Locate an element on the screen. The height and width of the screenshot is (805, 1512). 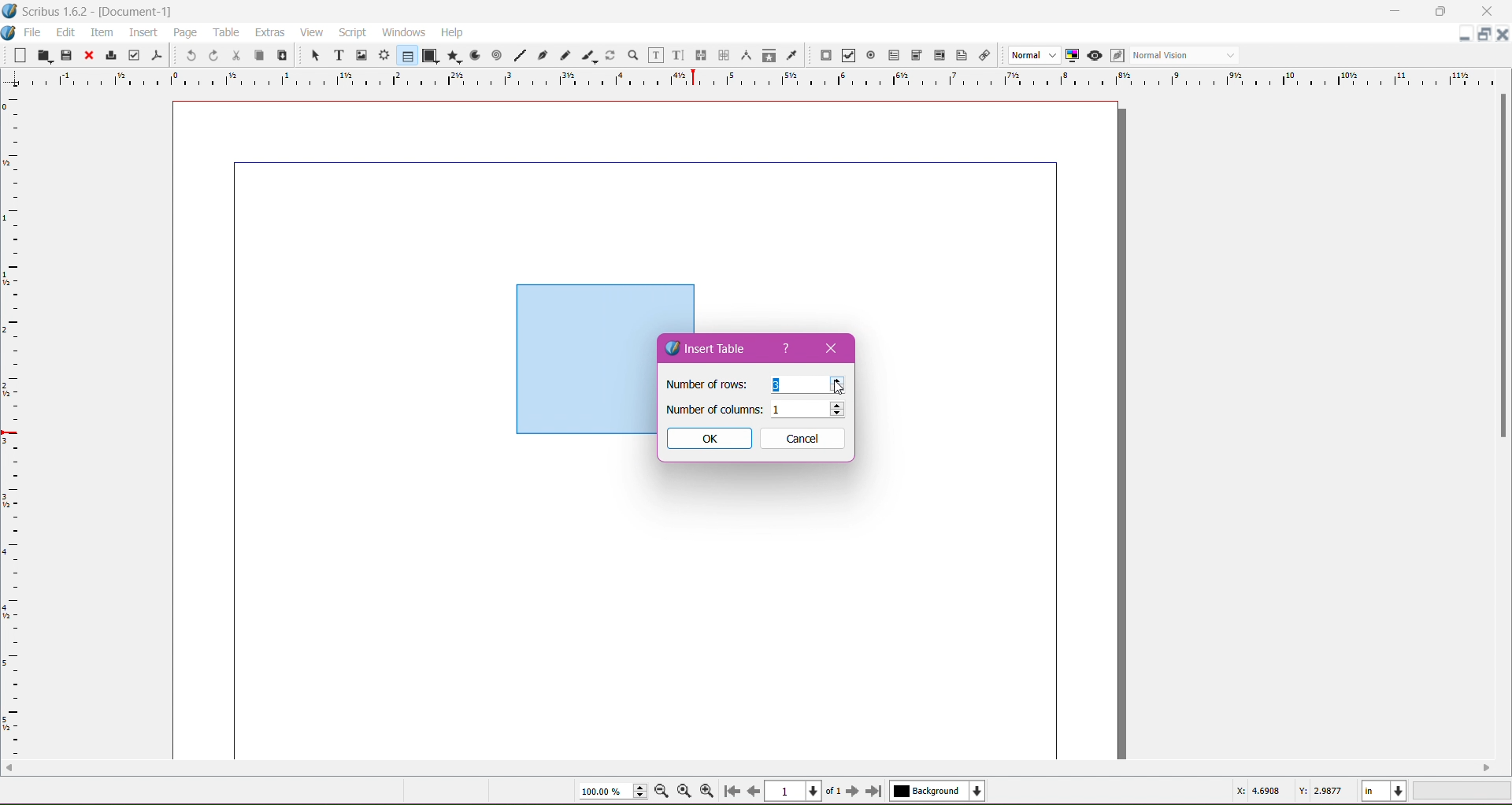
Cut is located at coordinates (233, 54).